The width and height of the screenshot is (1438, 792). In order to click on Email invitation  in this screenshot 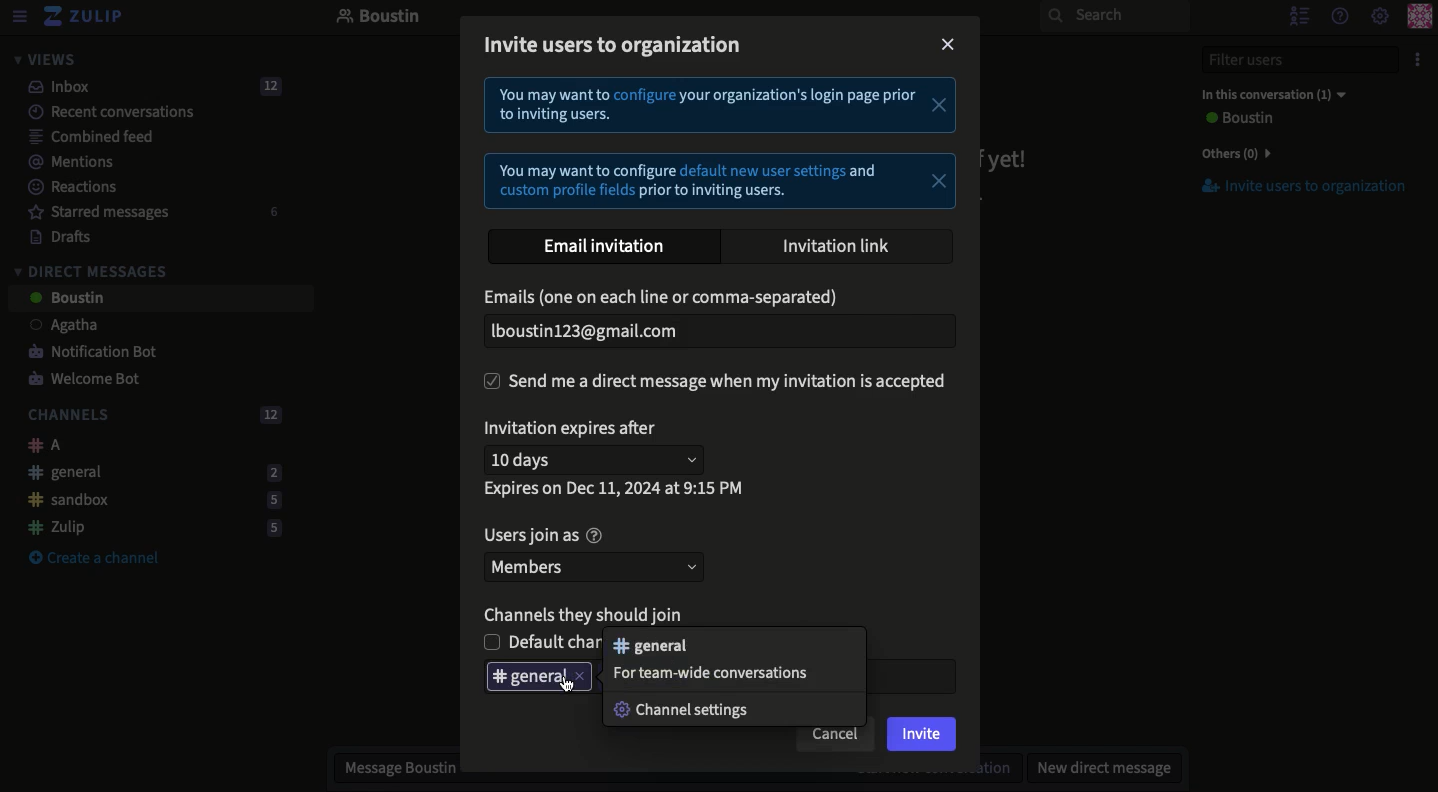, I will do `click(607, 247)`.